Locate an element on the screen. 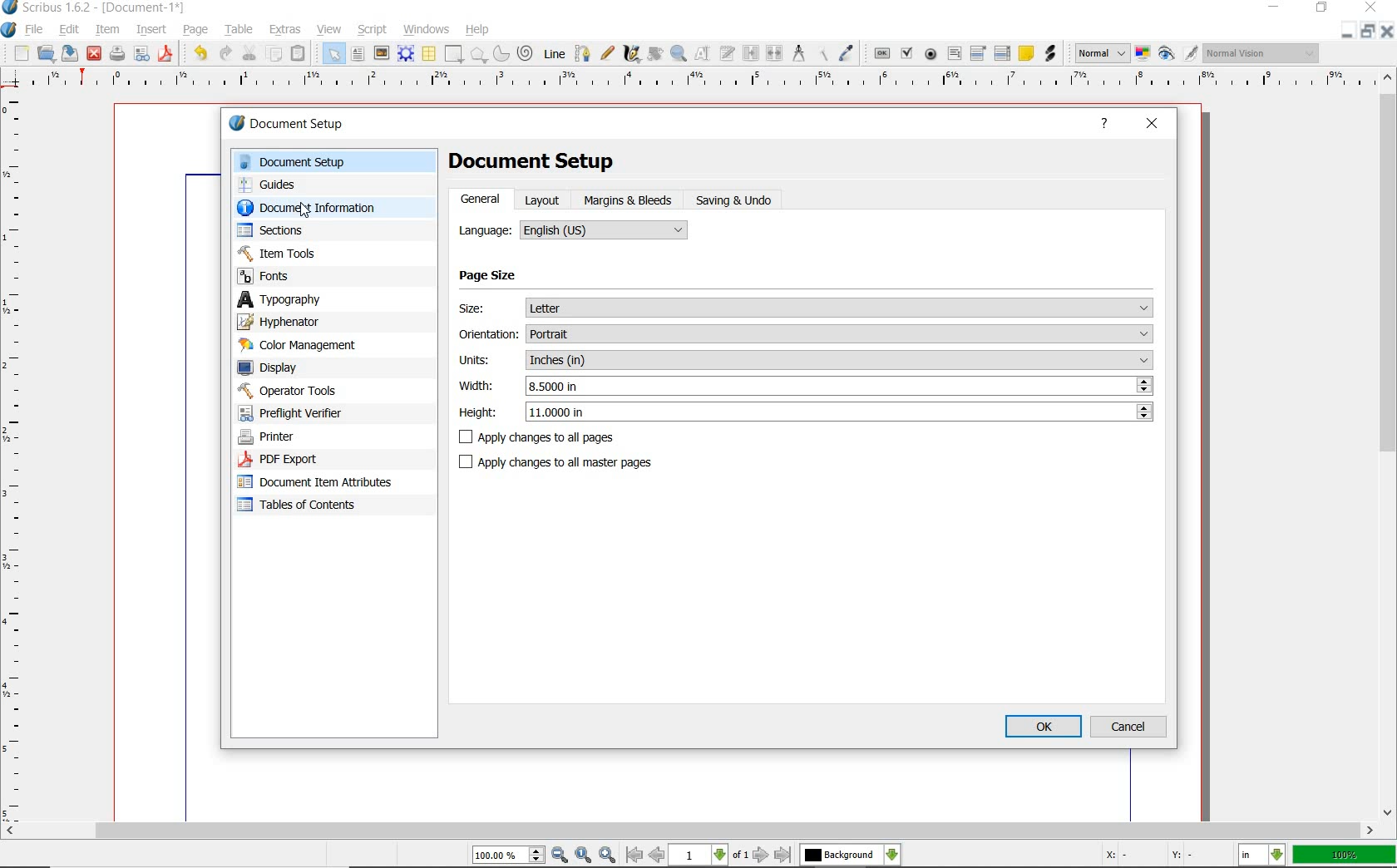 This screenshot has width=1397, height=868. undo is located at coordinates (200, 55).